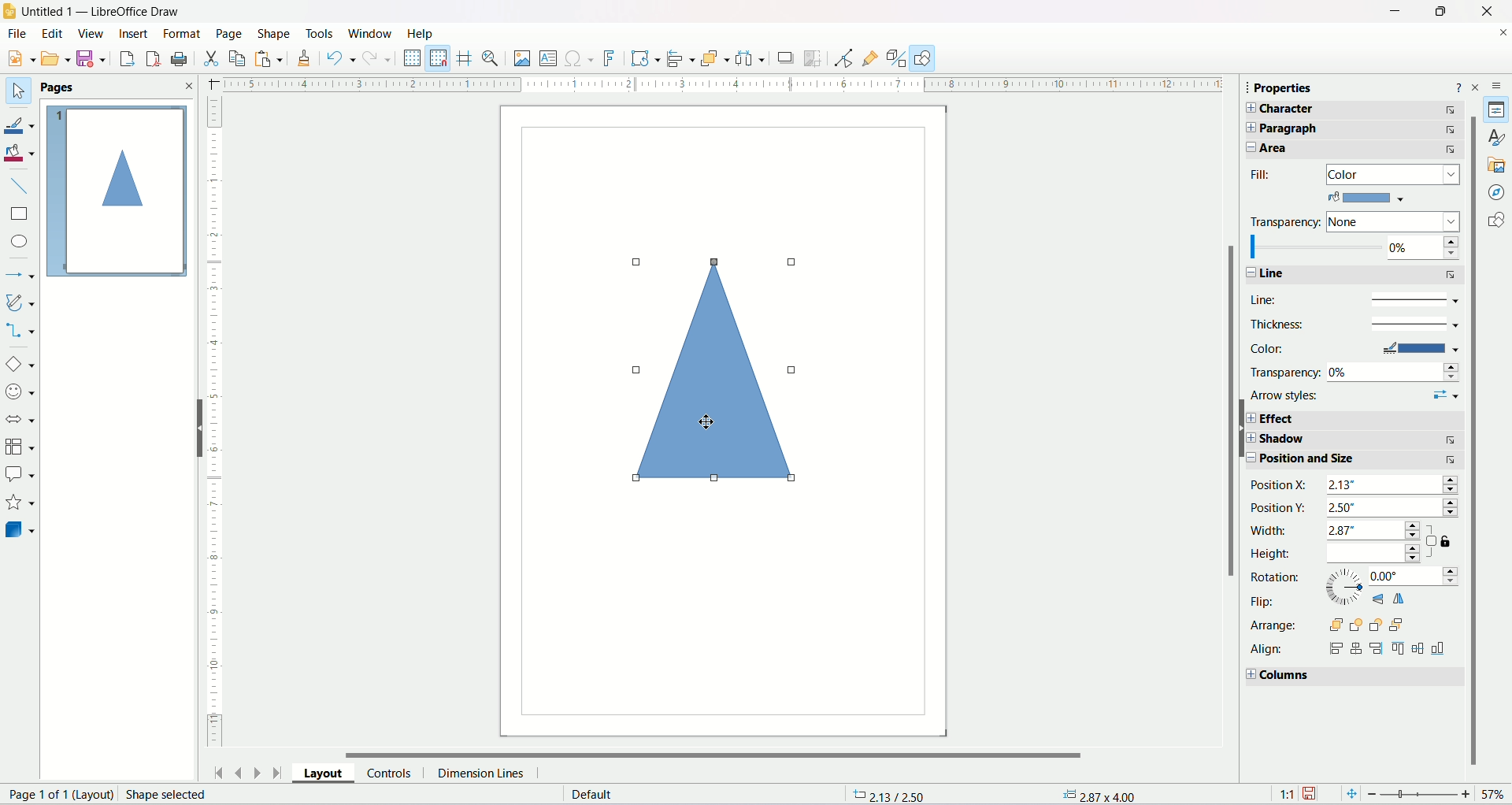  I want to click on Undo, so click(341, 57).